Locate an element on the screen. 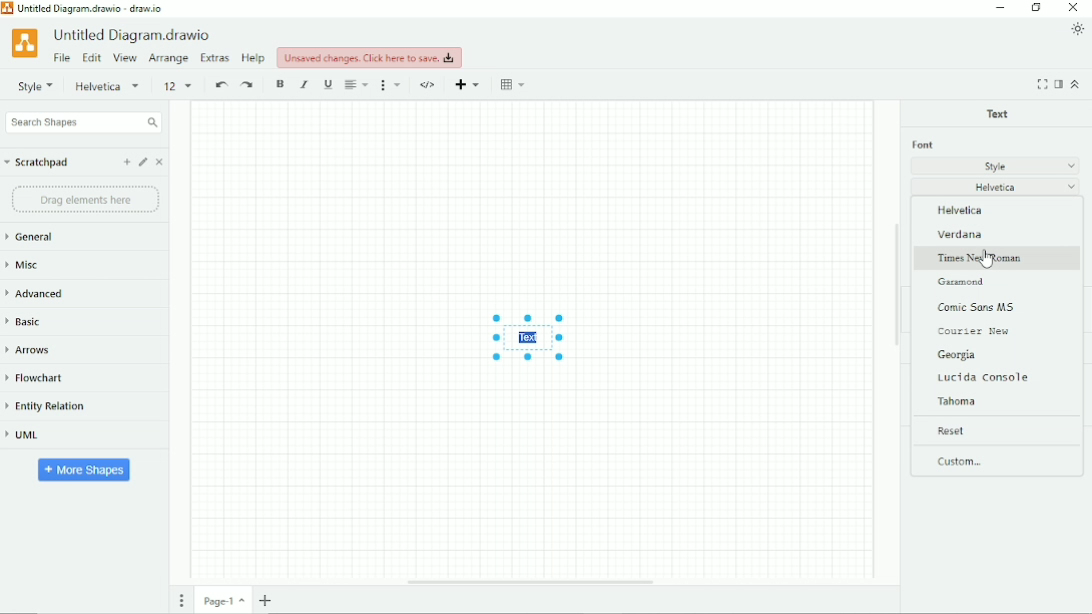 This screenshot has width=1092, height=614. Format is located at coordinates (1058, 84).